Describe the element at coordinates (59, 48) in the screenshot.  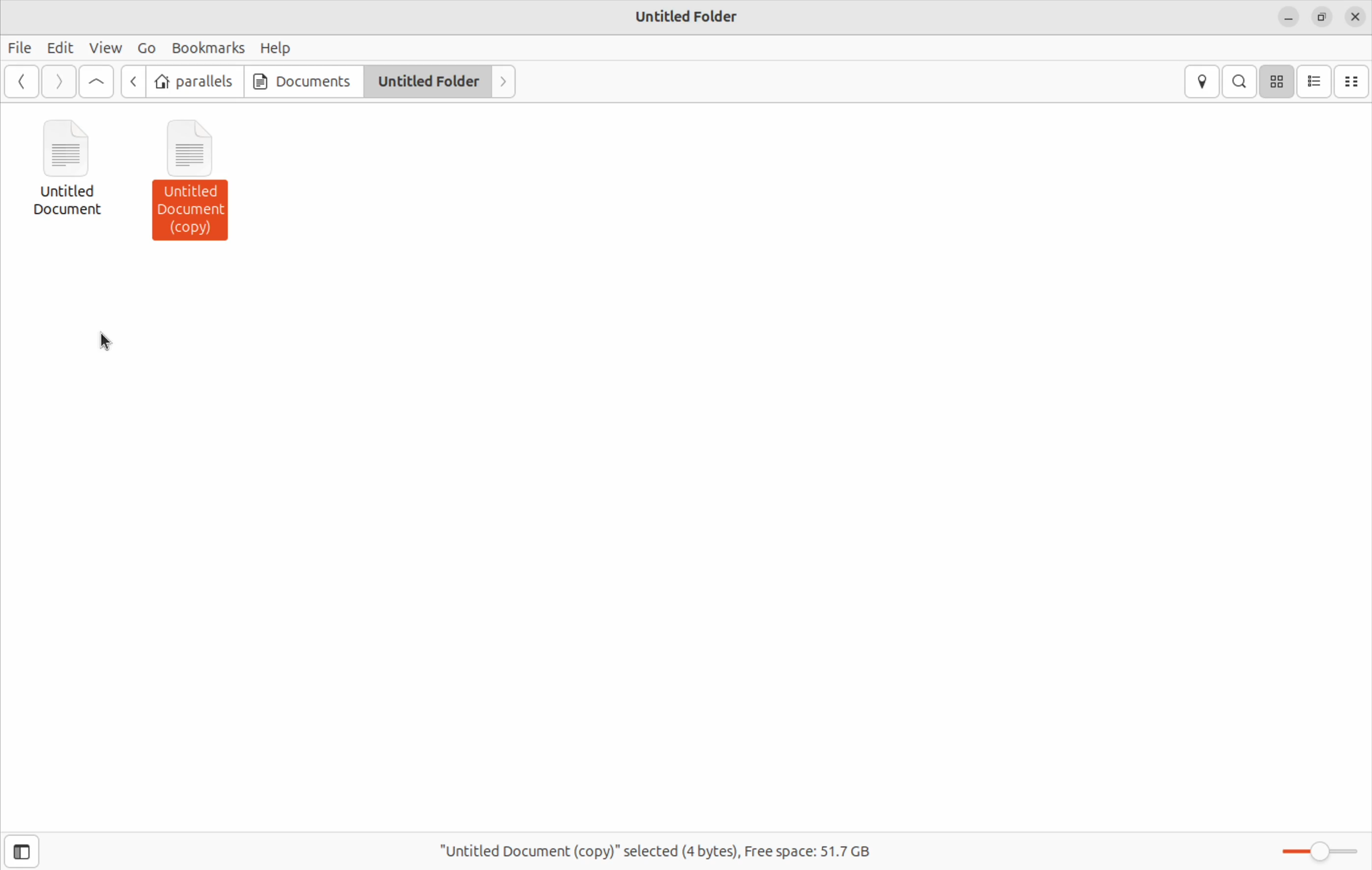
I see `Edit` at that location.